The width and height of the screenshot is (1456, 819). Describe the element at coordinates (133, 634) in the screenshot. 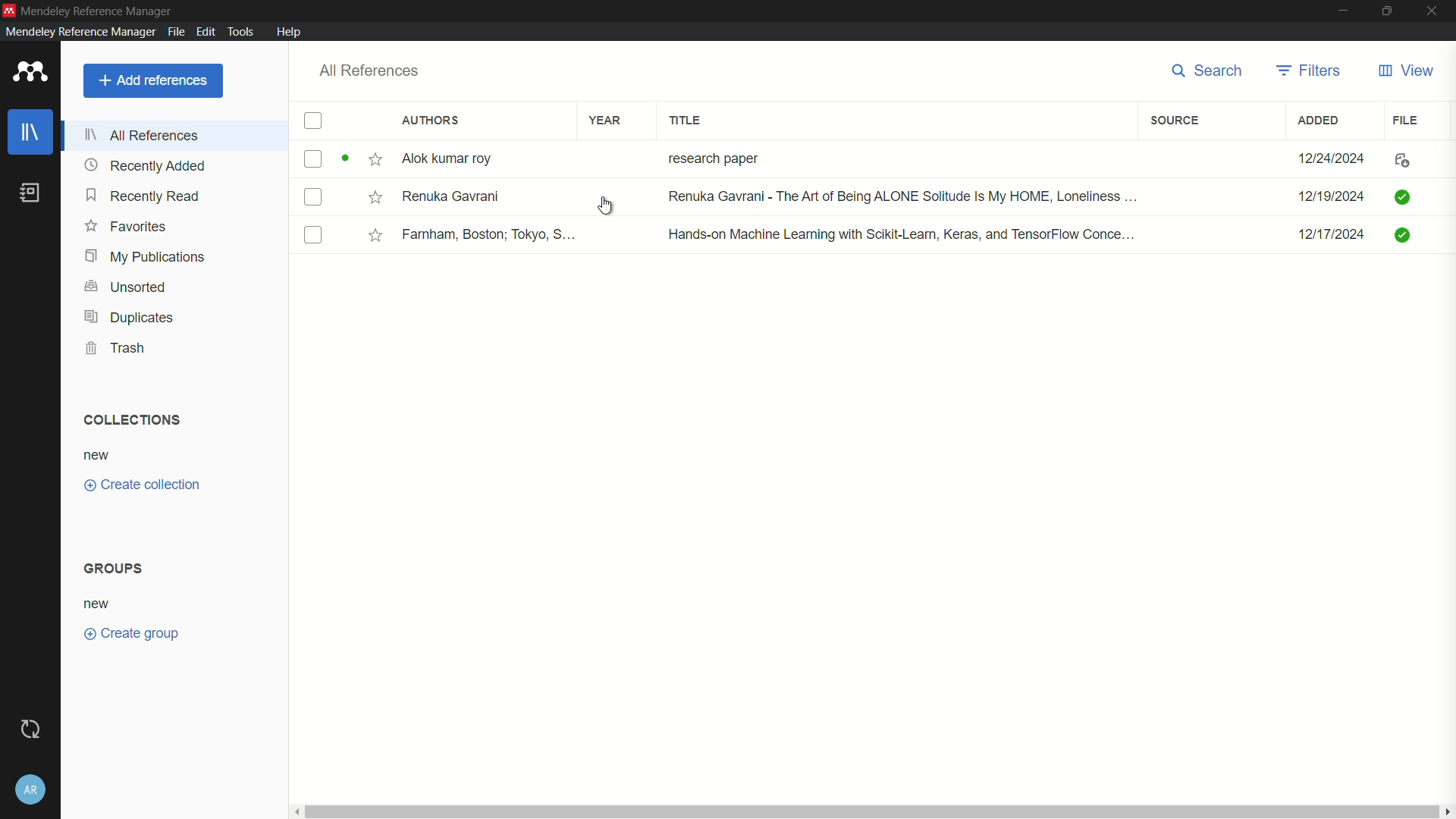

I see `create group` at that location.